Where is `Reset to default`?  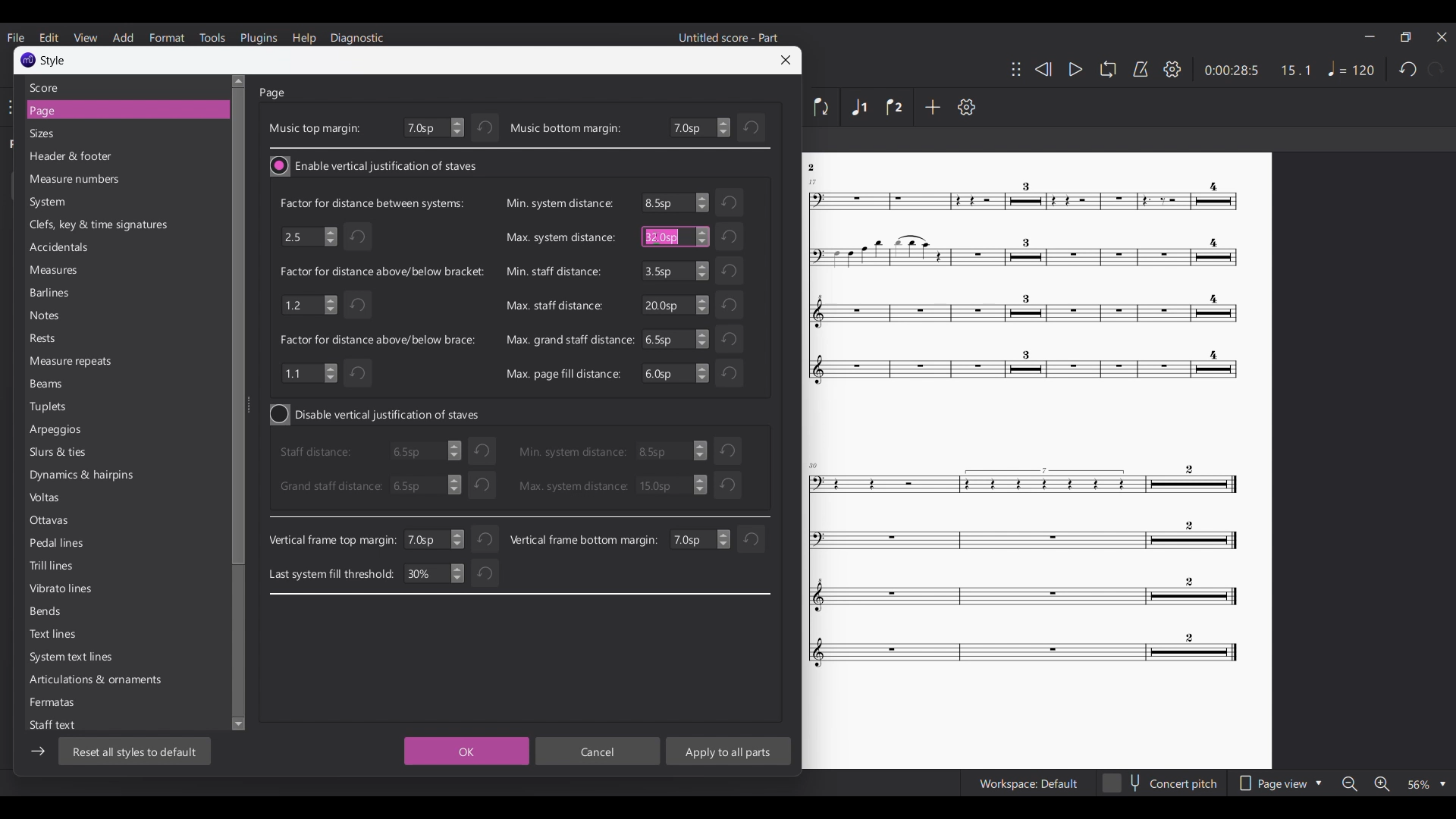
Reset to default is located at coordinates (134, 751).